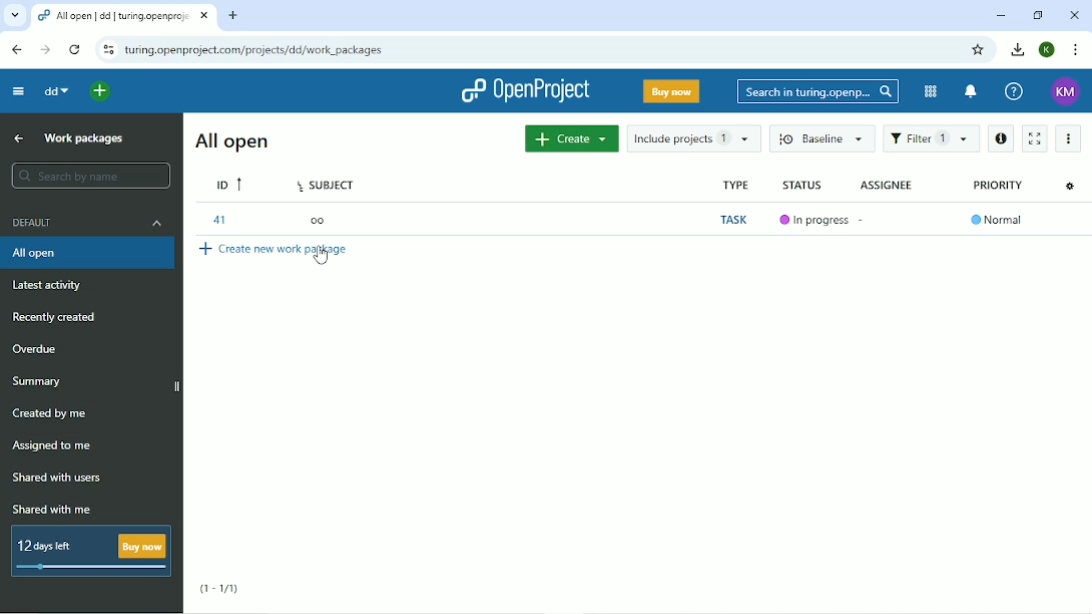 The width and height of the screenshot is (1092, 614). I want to click on oo, so click(318, 222).